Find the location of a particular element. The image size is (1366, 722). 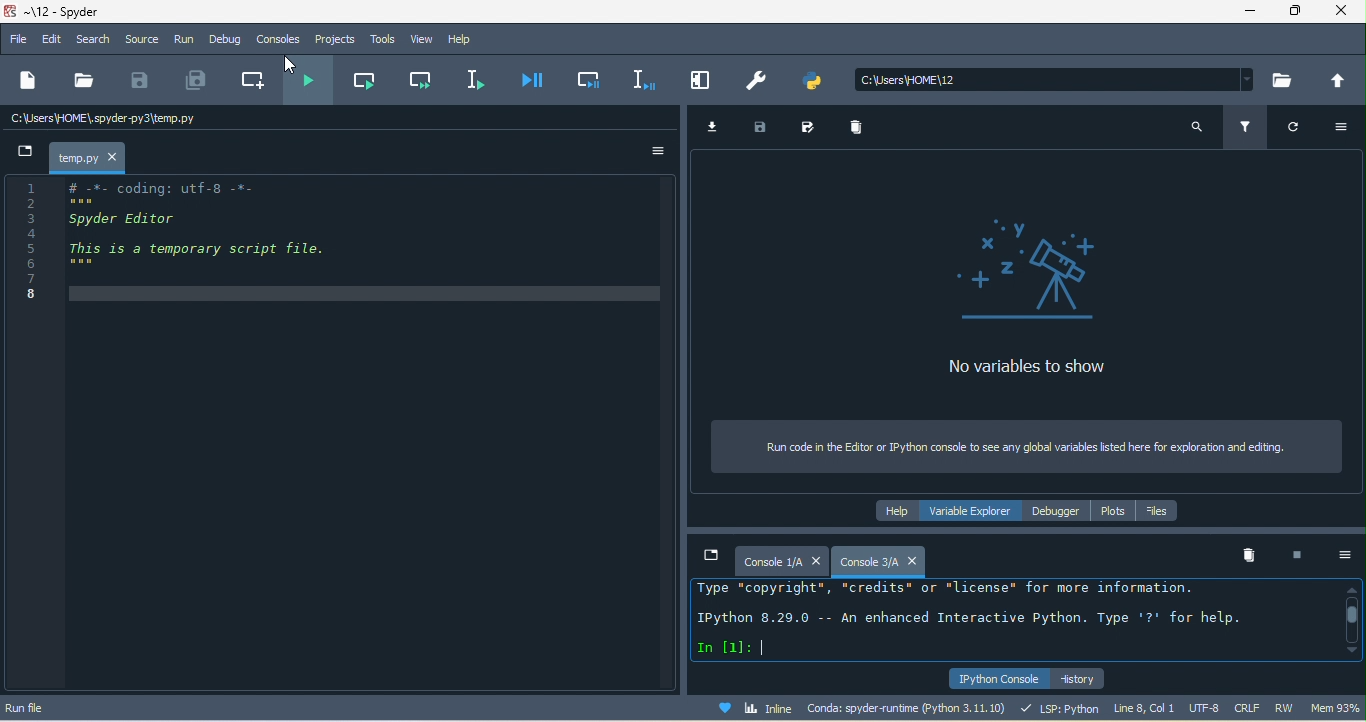

new is located at coordinates (29, 83).